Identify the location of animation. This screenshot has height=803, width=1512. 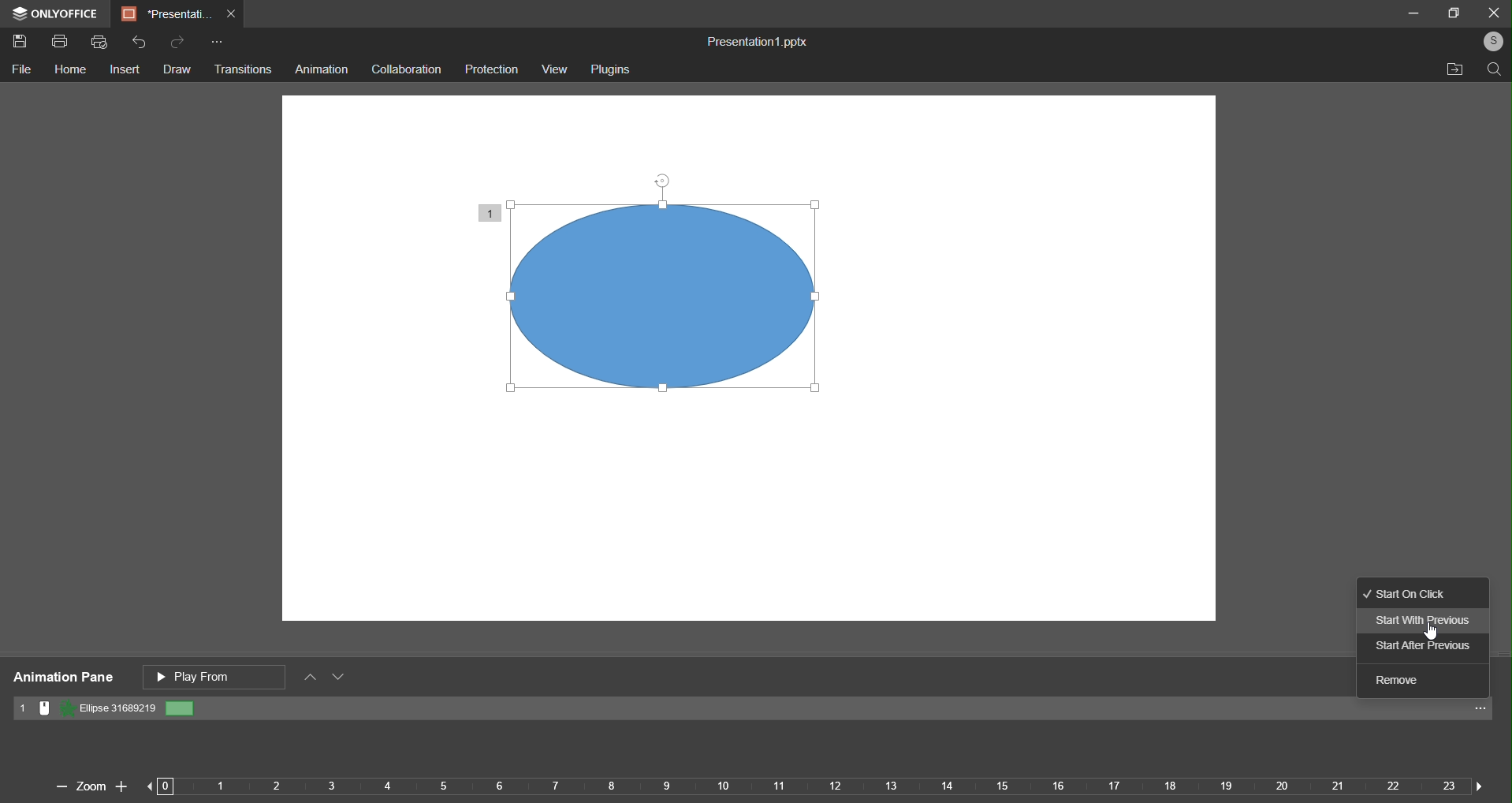
(322, 70).